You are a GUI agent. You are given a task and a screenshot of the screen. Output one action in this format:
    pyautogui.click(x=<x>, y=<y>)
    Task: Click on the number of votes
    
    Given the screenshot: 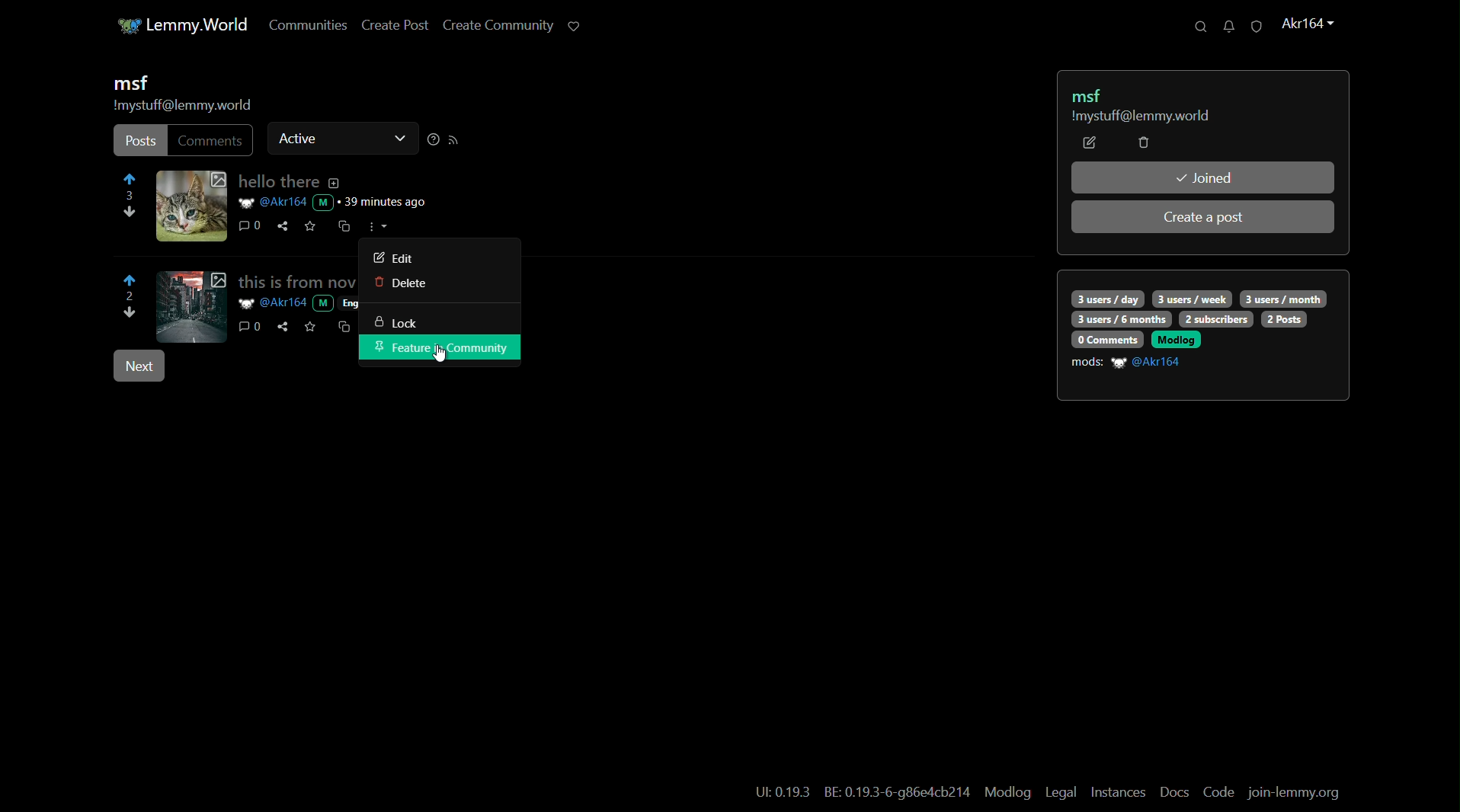 What is the action you would take?
    pyautogui.click(x=130, y=197)
    